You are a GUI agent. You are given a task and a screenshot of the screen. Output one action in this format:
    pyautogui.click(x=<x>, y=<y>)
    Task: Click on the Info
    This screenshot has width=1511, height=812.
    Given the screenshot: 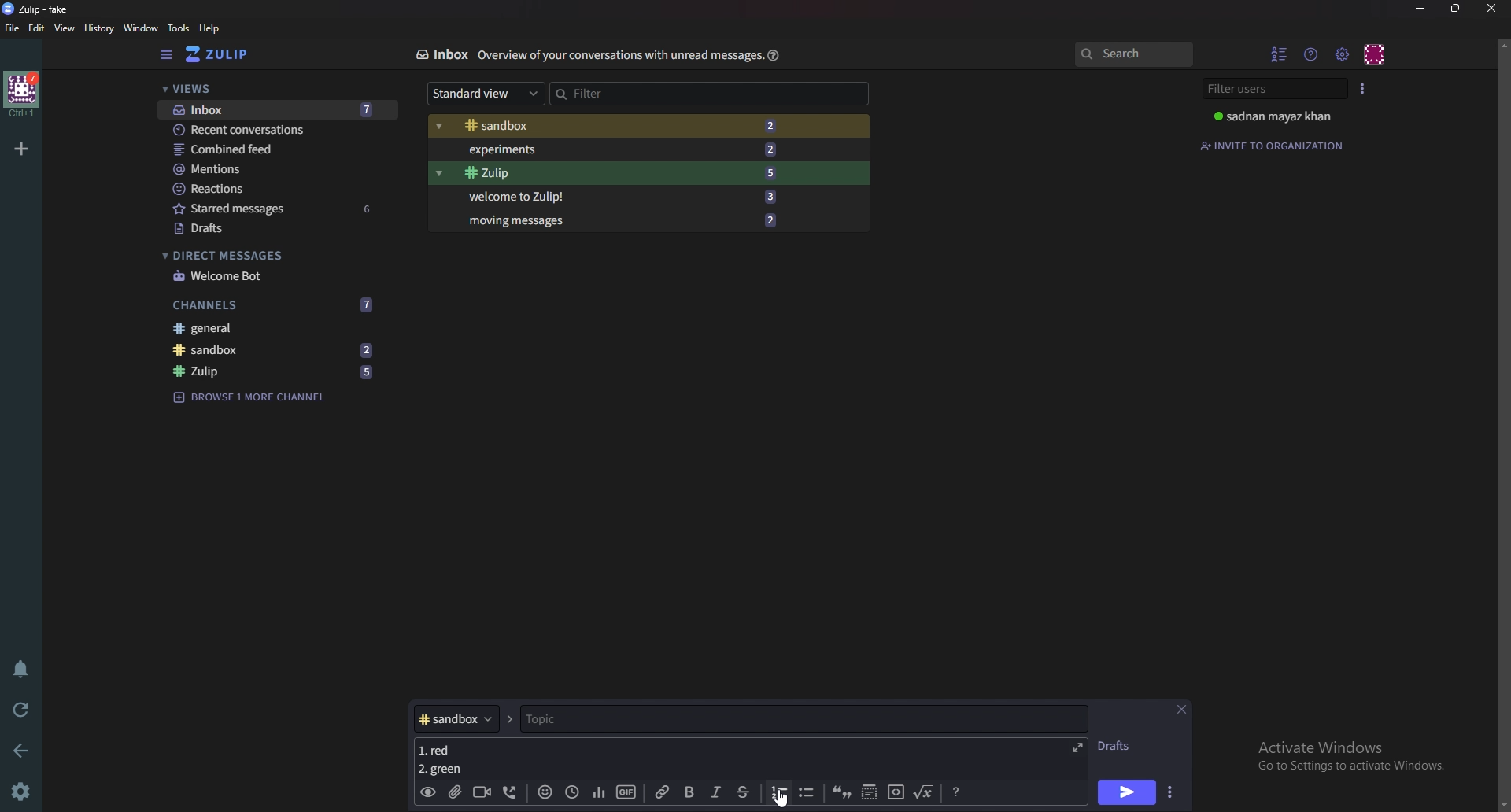 What is the action you would take?
    pyautogui.click(x=616, y=56)
    